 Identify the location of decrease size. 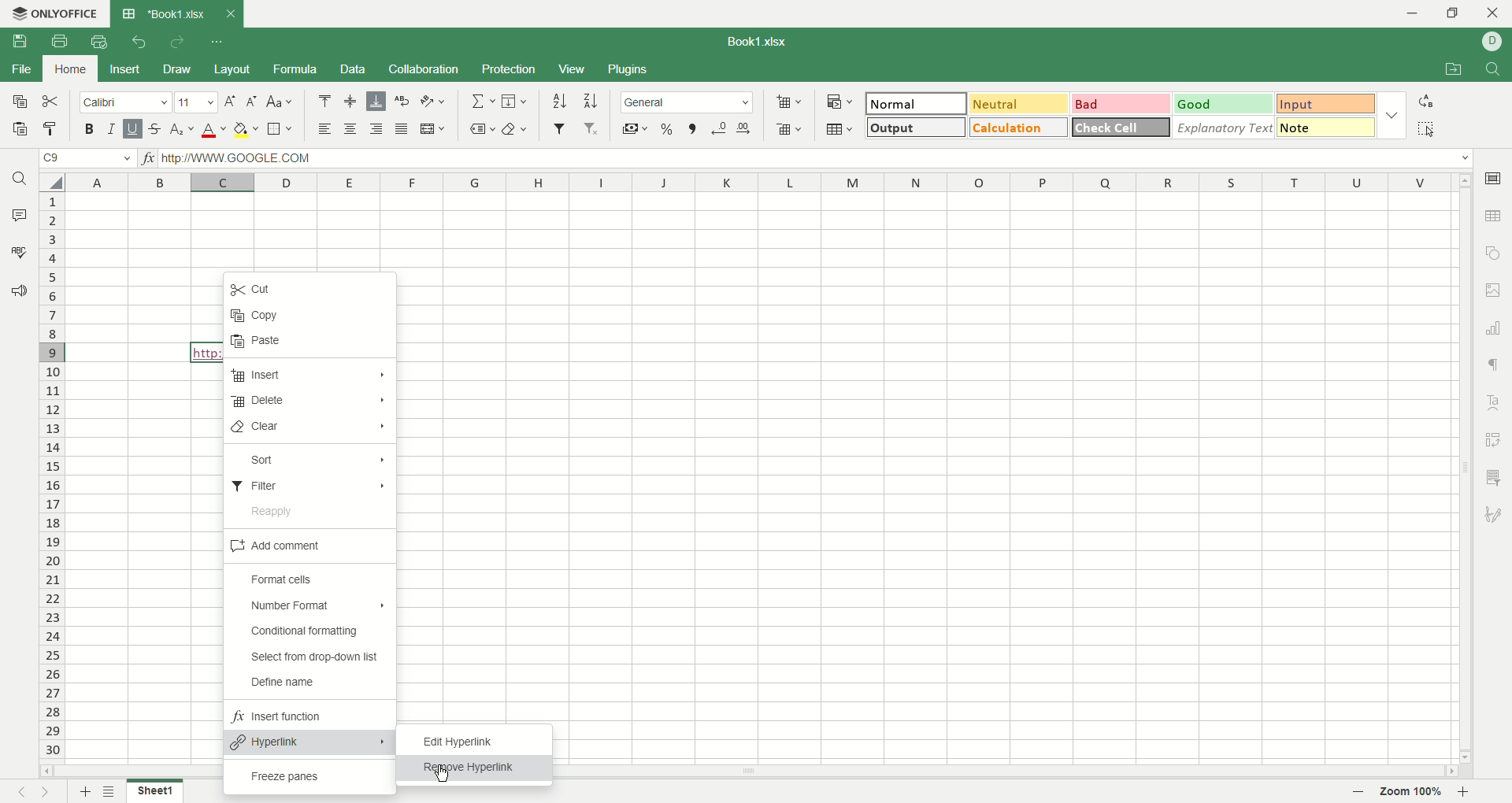
(254, 102).